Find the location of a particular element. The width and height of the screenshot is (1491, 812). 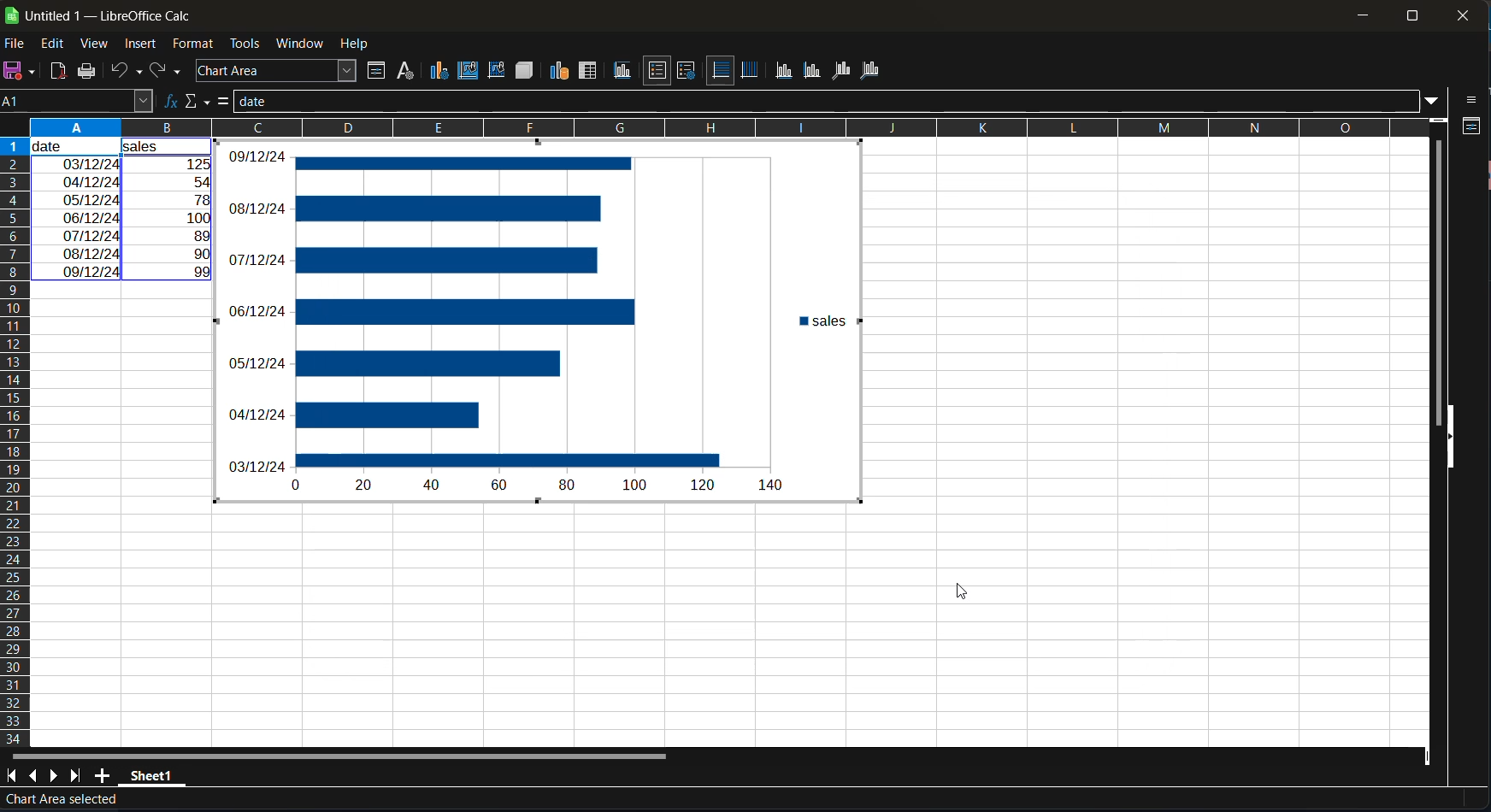

horizontal grids is located at coordinates (721, 70).